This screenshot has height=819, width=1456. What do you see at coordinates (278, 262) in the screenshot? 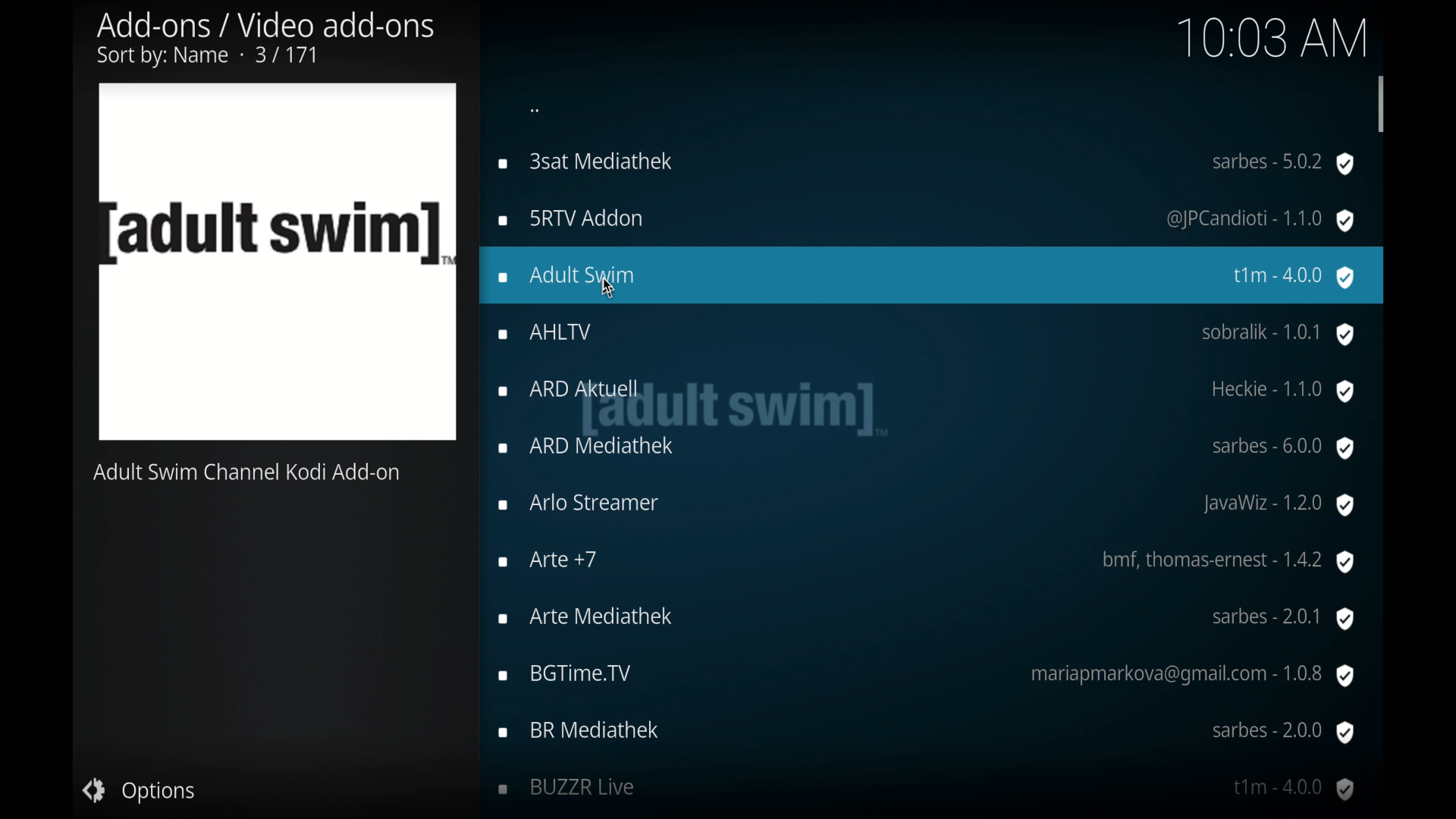
I see `adult swim icon` at bounding box center [278, 262].